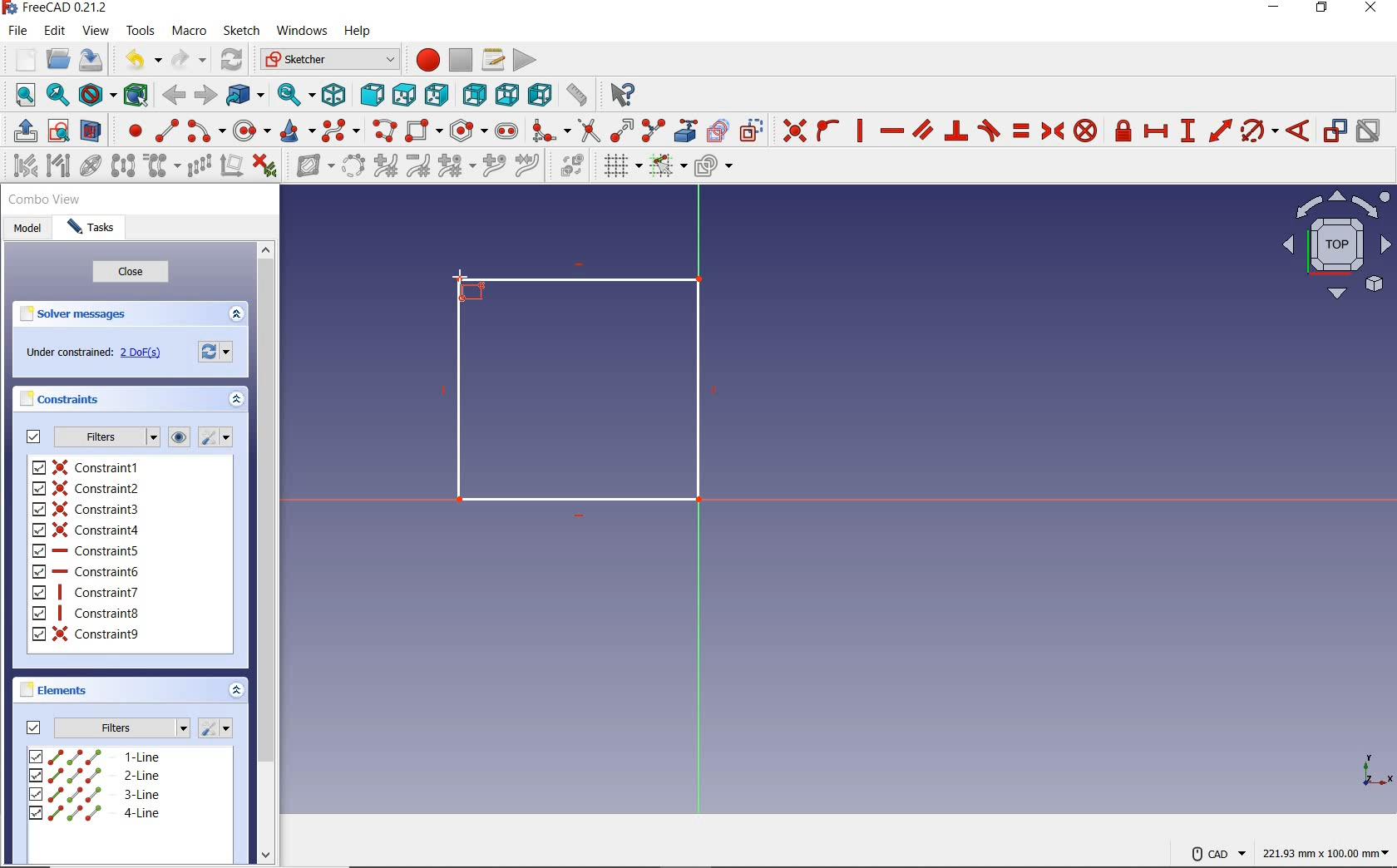 This screenshot has height=868, width=1397. I want to click on show/hide internal geometry, so click(89, 166).